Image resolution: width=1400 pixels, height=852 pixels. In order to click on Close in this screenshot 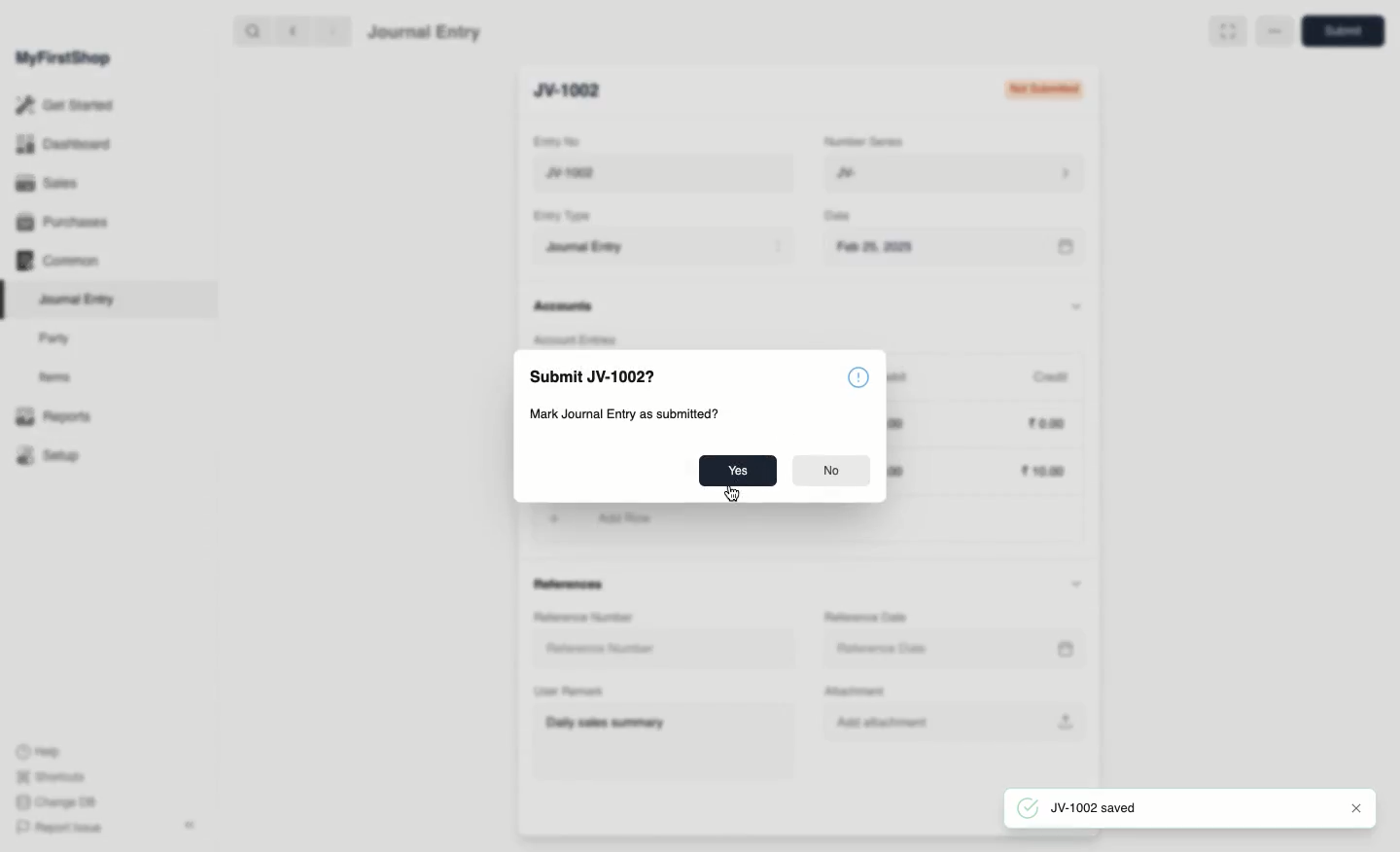, I will do `click(1355, 808)`.